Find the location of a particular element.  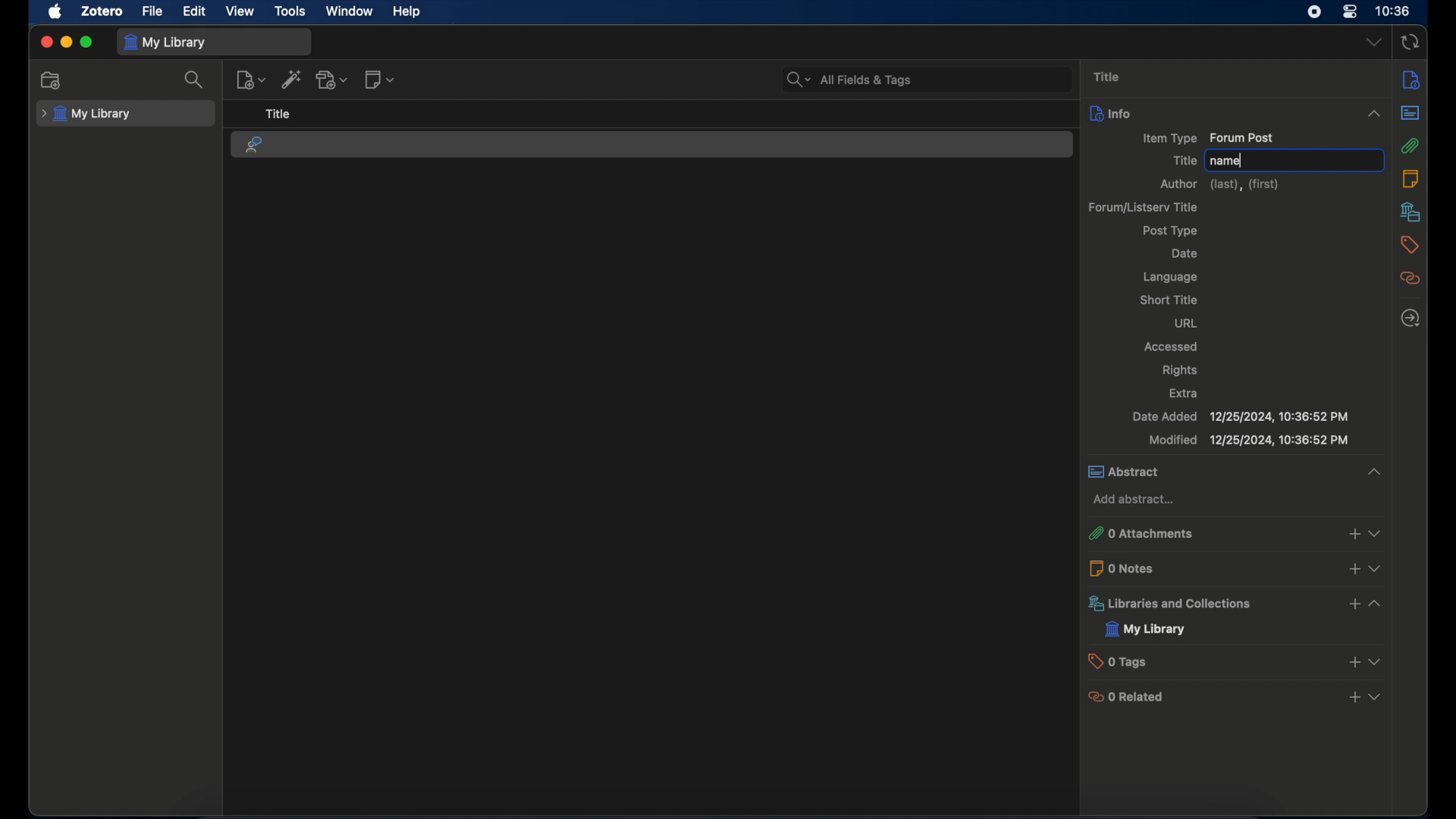

libraries and collections is located at coordinates (1234, 603).